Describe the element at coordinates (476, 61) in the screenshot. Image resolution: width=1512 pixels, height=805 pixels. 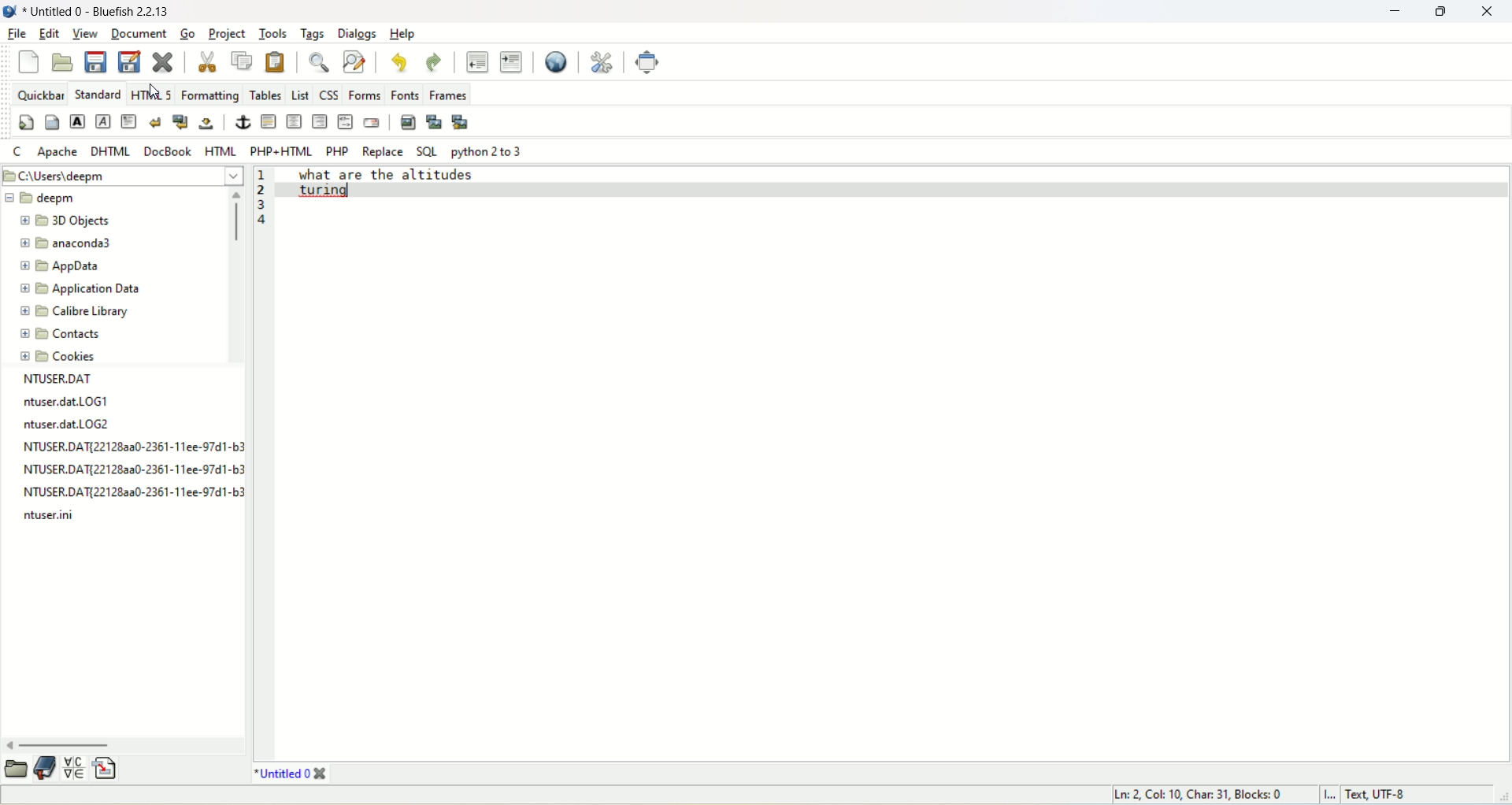
I see `unindent` at that location.